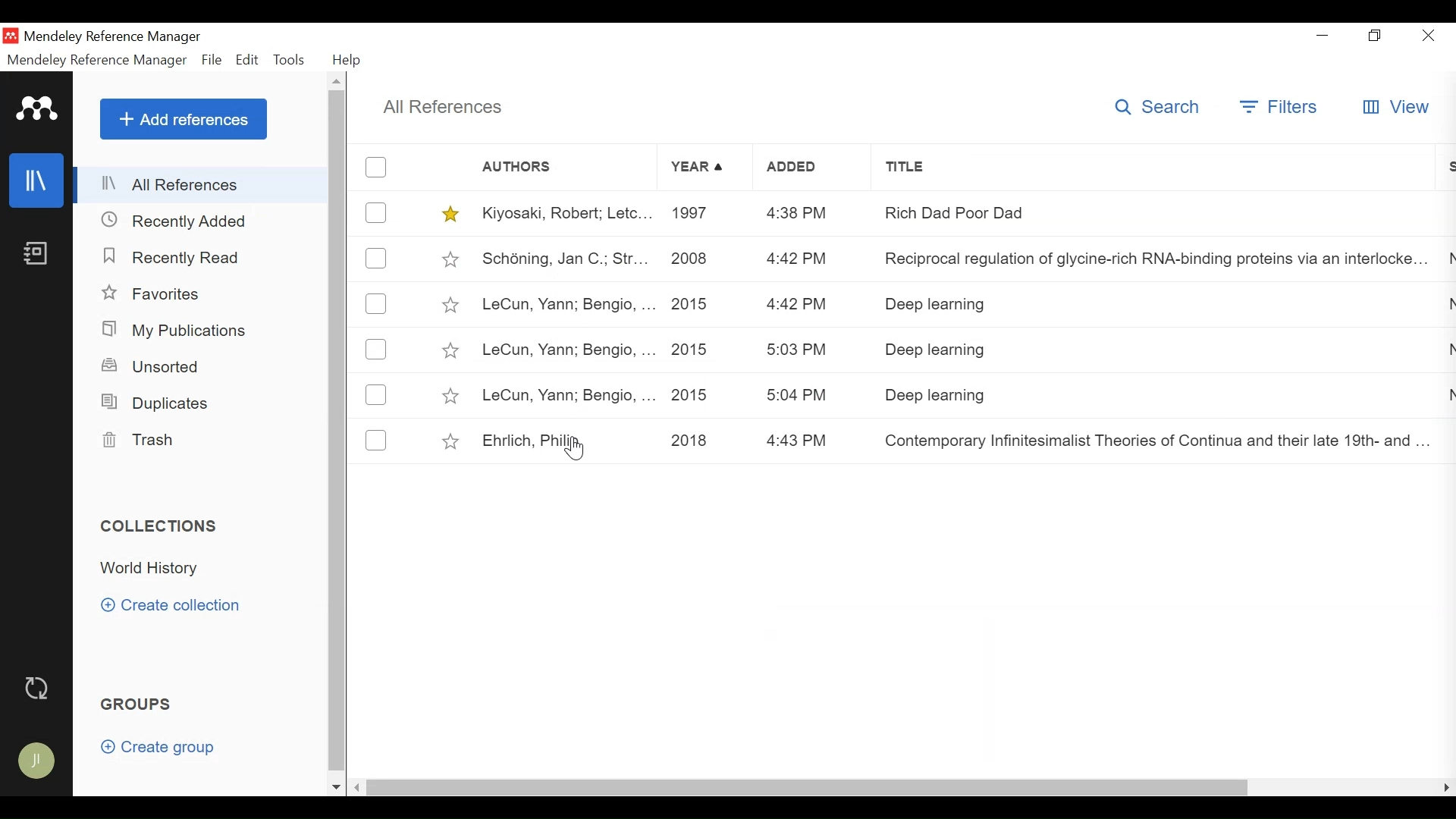 Image resolution: width=1456 pixels, height=819 pixels. I want to click on Avatar, so click(34, 760).